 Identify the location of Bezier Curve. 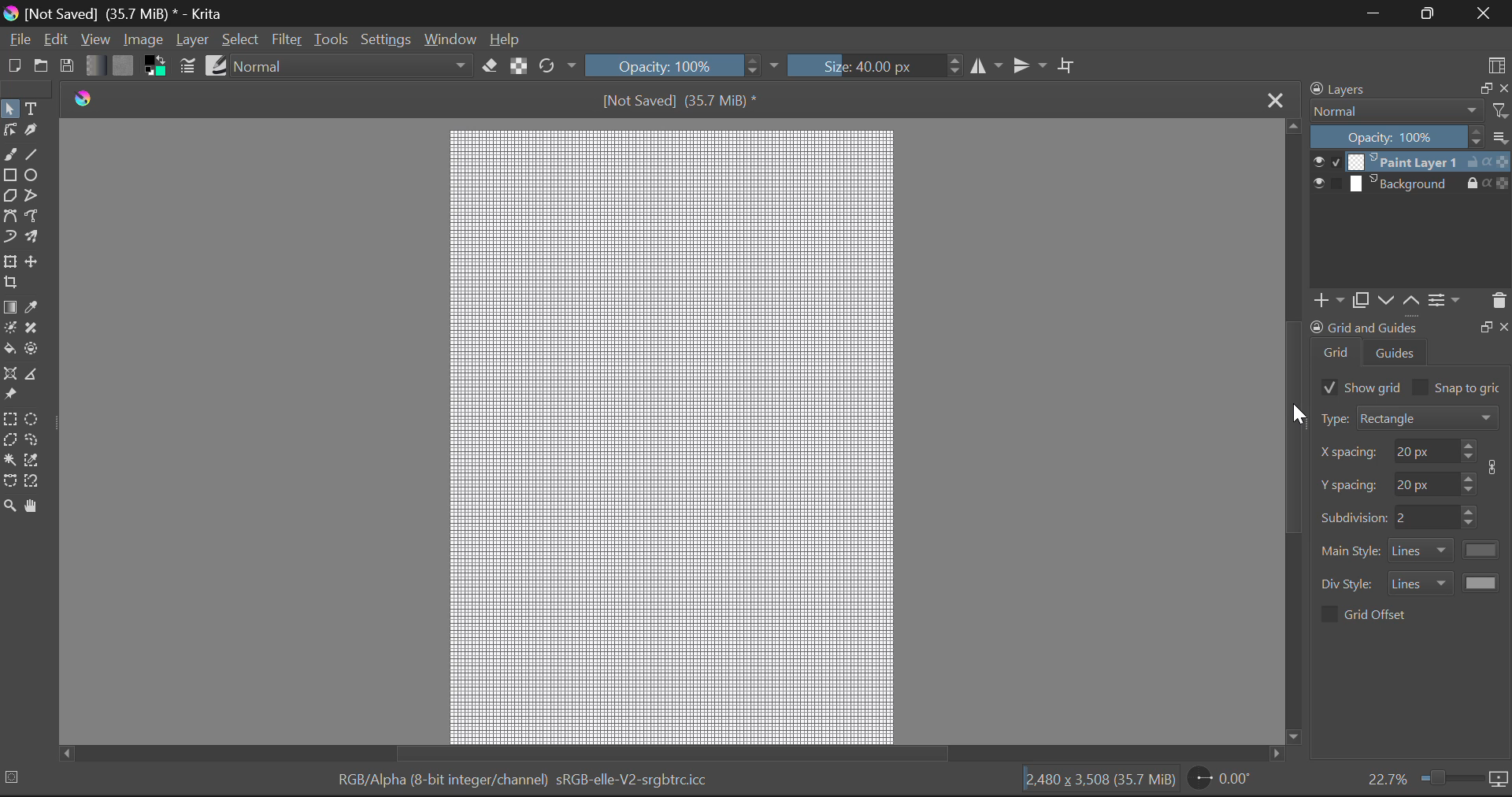
(11, 219).